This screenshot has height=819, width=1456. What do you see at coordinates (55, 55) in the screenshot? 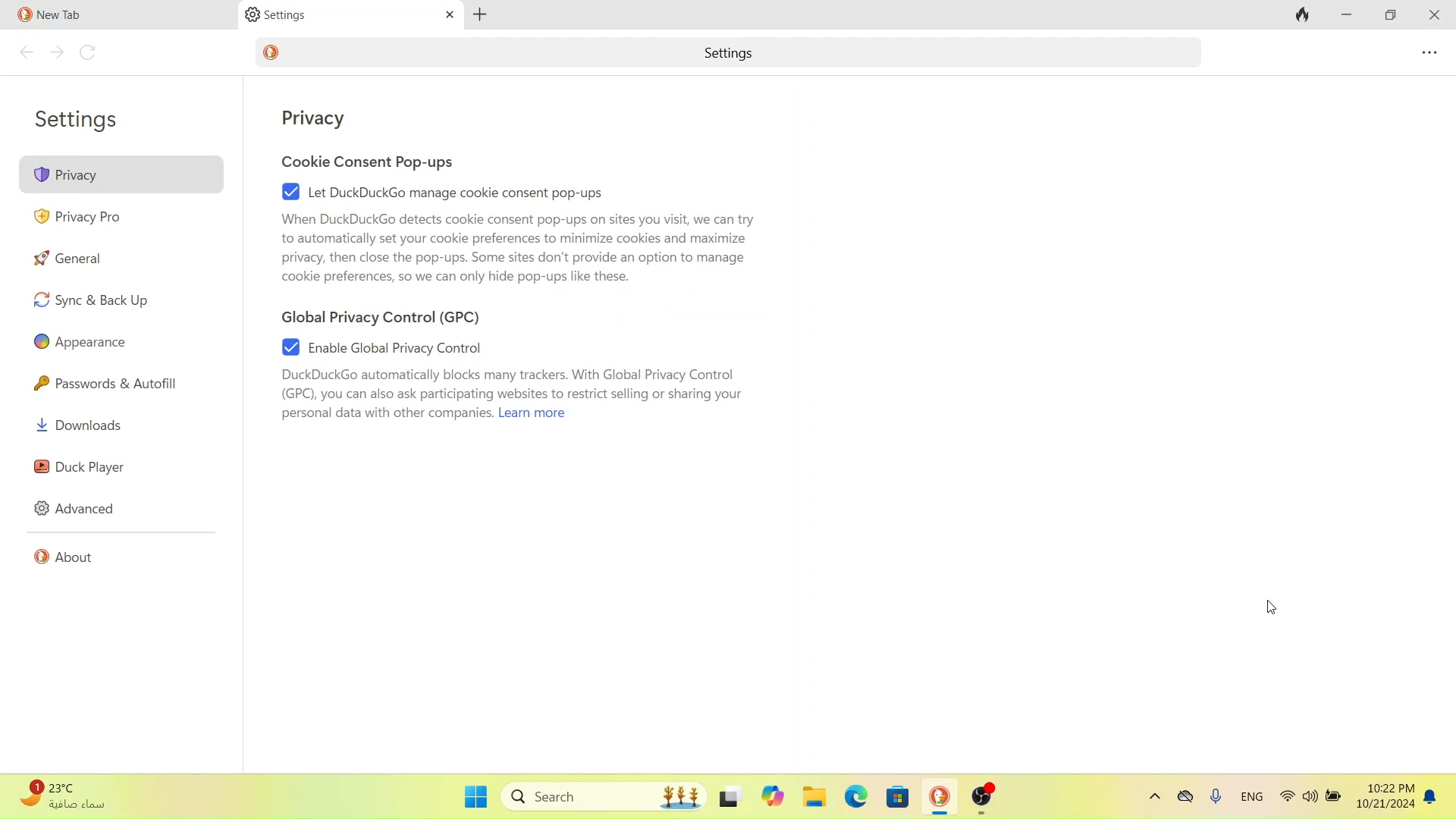
I see `go to next page` at bounding box center [55, 55].